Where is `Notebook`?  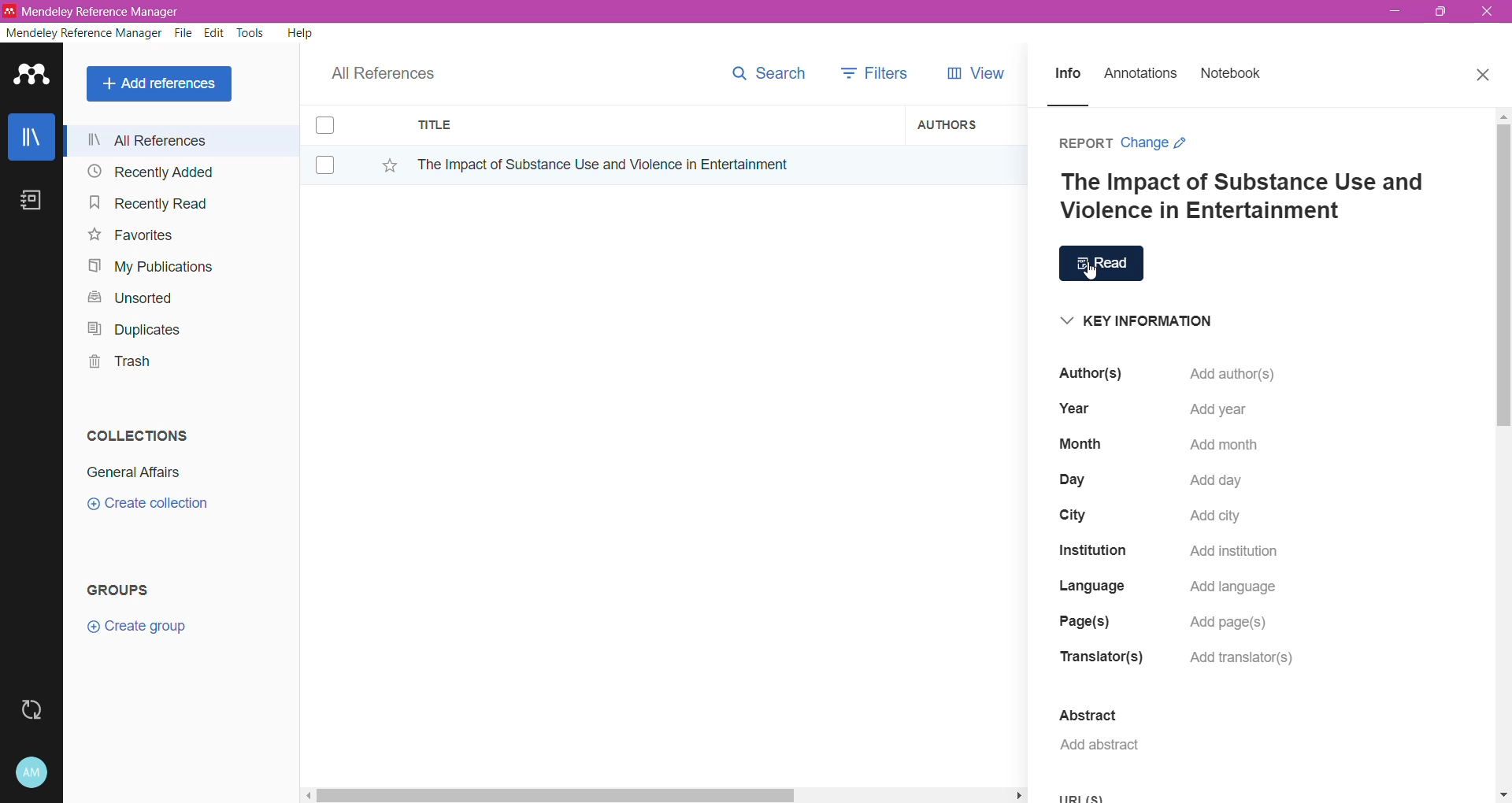 Notebook is located at coordinates (1237, 74).